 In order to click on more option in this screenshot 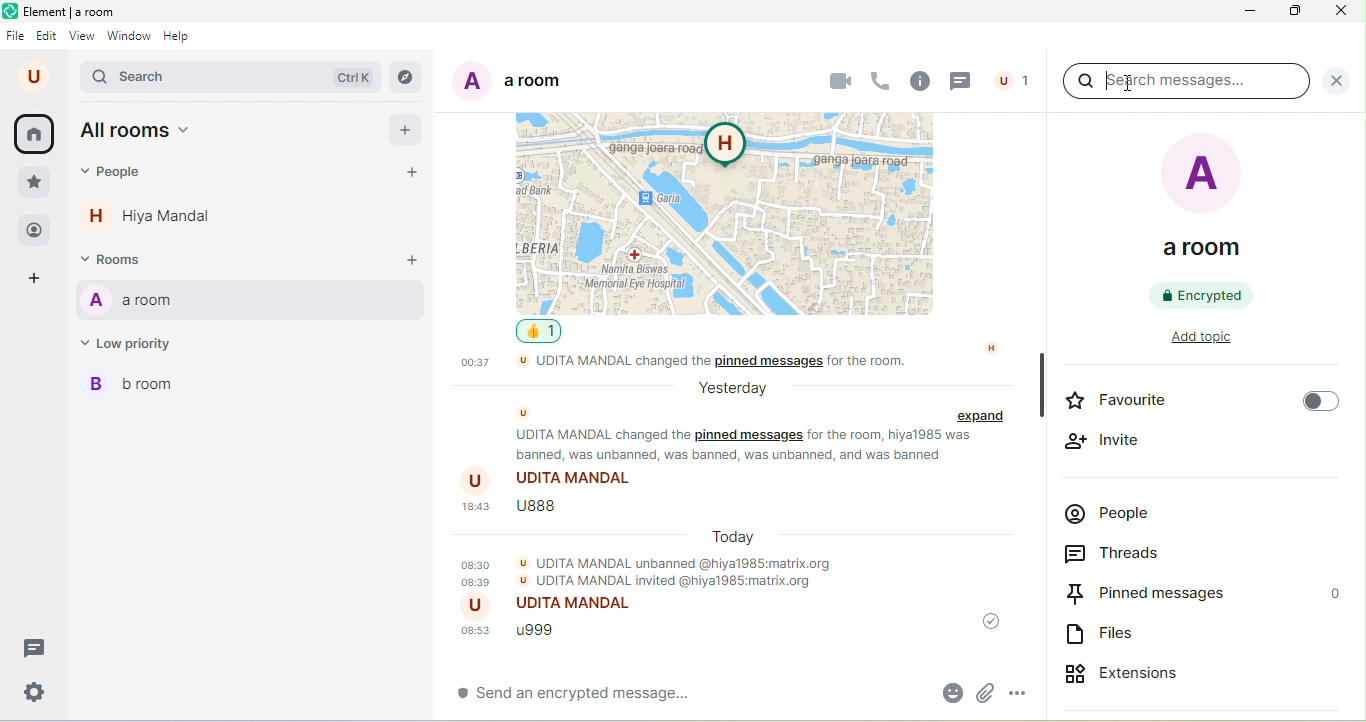, I will do `click(1026, 689)`.